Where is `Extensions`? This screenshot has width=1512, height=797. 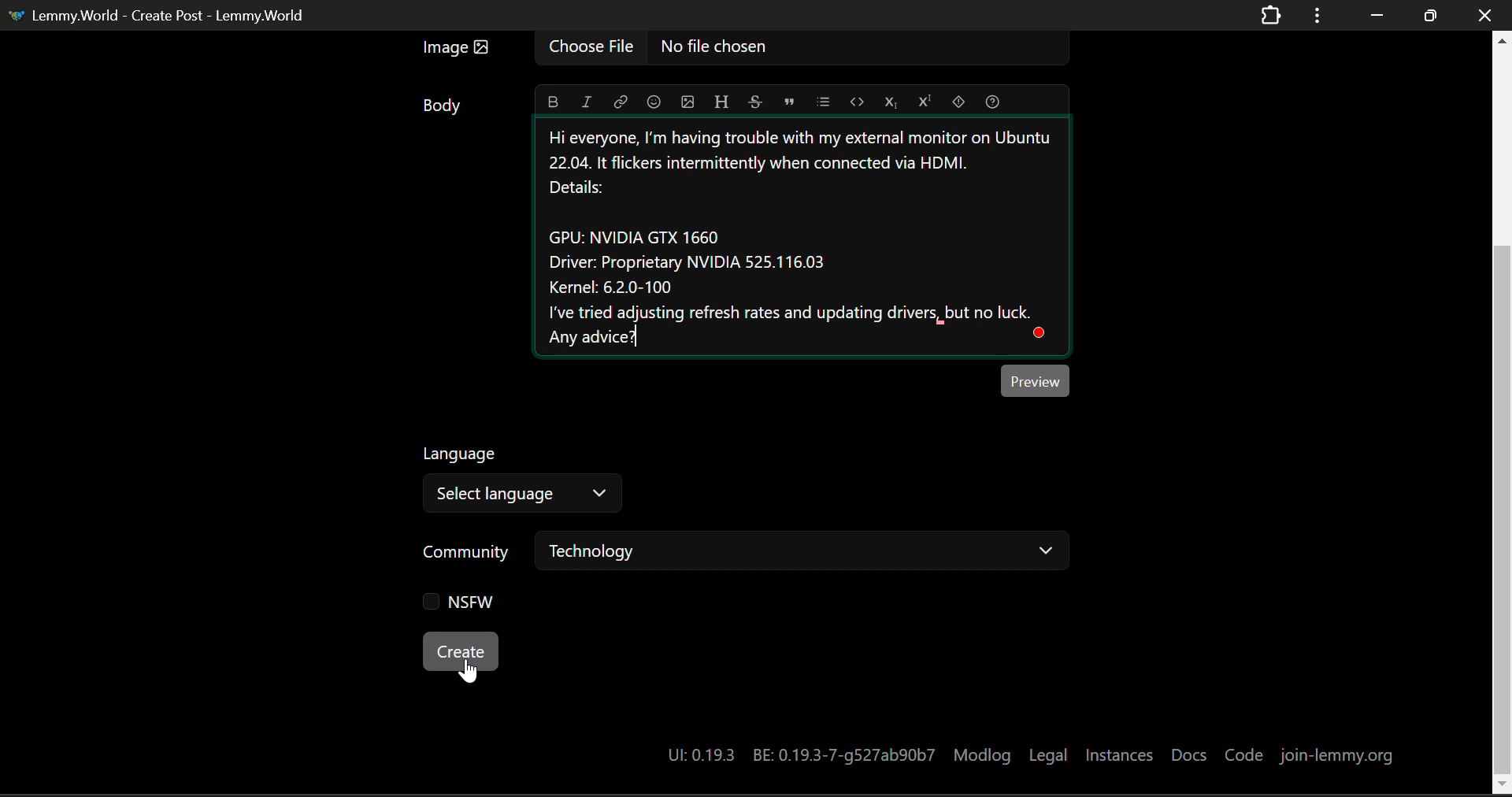 Extensions is located at coordinates (1271, 17).